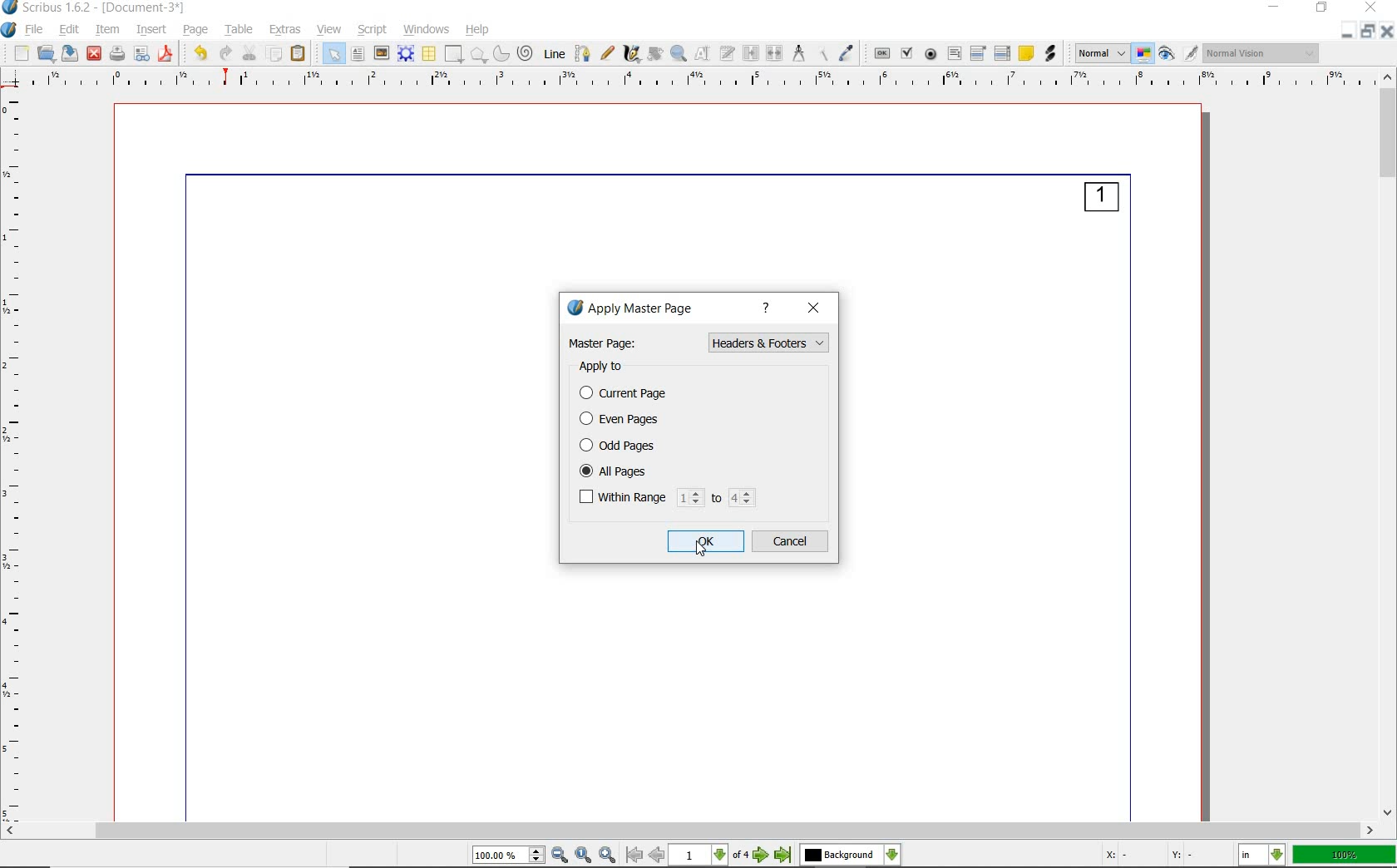 Image resolution: width=1397 pixels, height=868 pixels. Describe the element at coordinates (249, 53) in the screenshot. I see `cut` at that location.